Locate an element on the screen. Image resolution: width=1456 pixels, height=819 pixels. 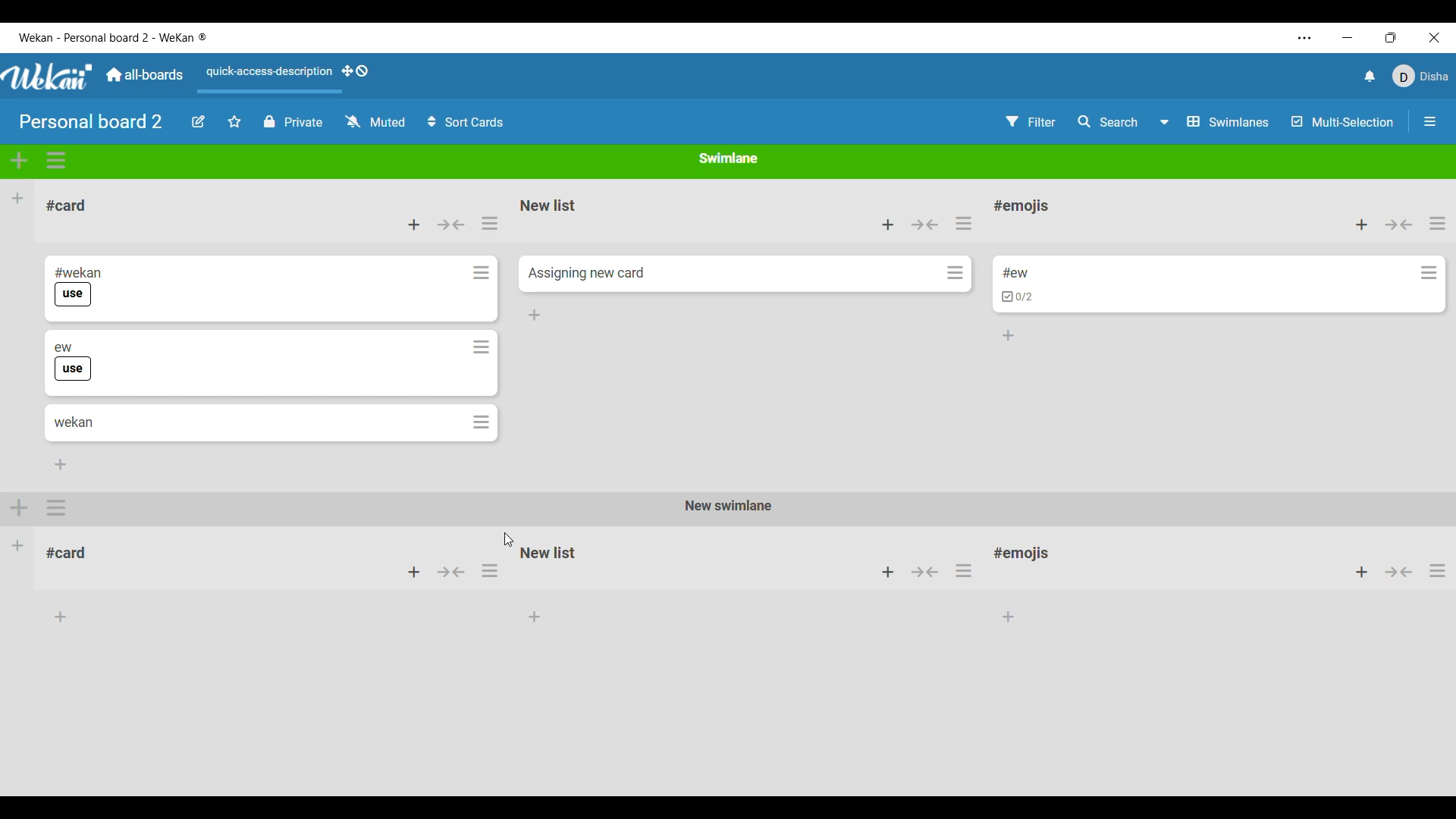
button is located at coordinates (1403, 569).